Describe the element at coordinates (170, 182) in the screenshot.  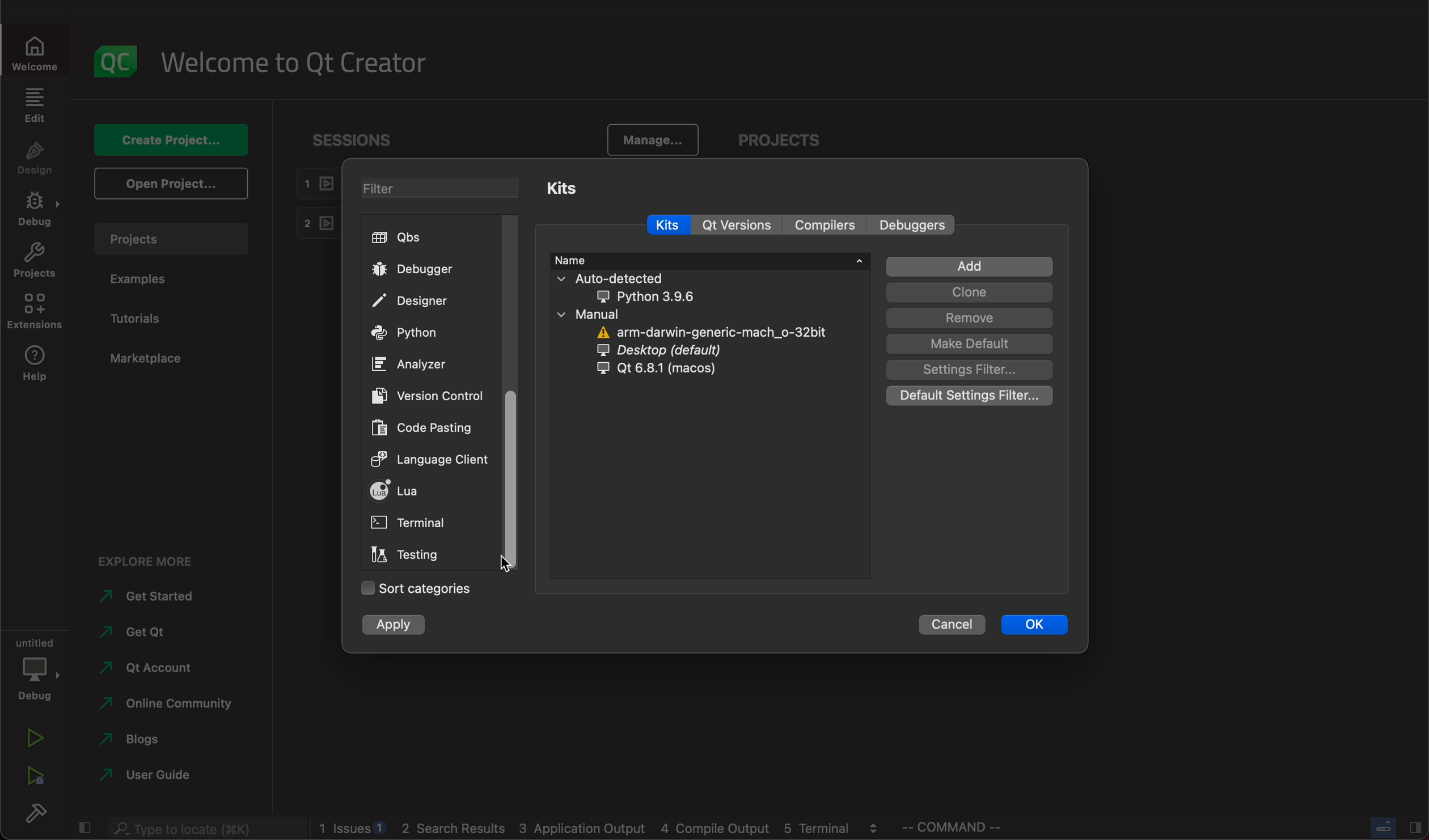
I see `open` at that location.